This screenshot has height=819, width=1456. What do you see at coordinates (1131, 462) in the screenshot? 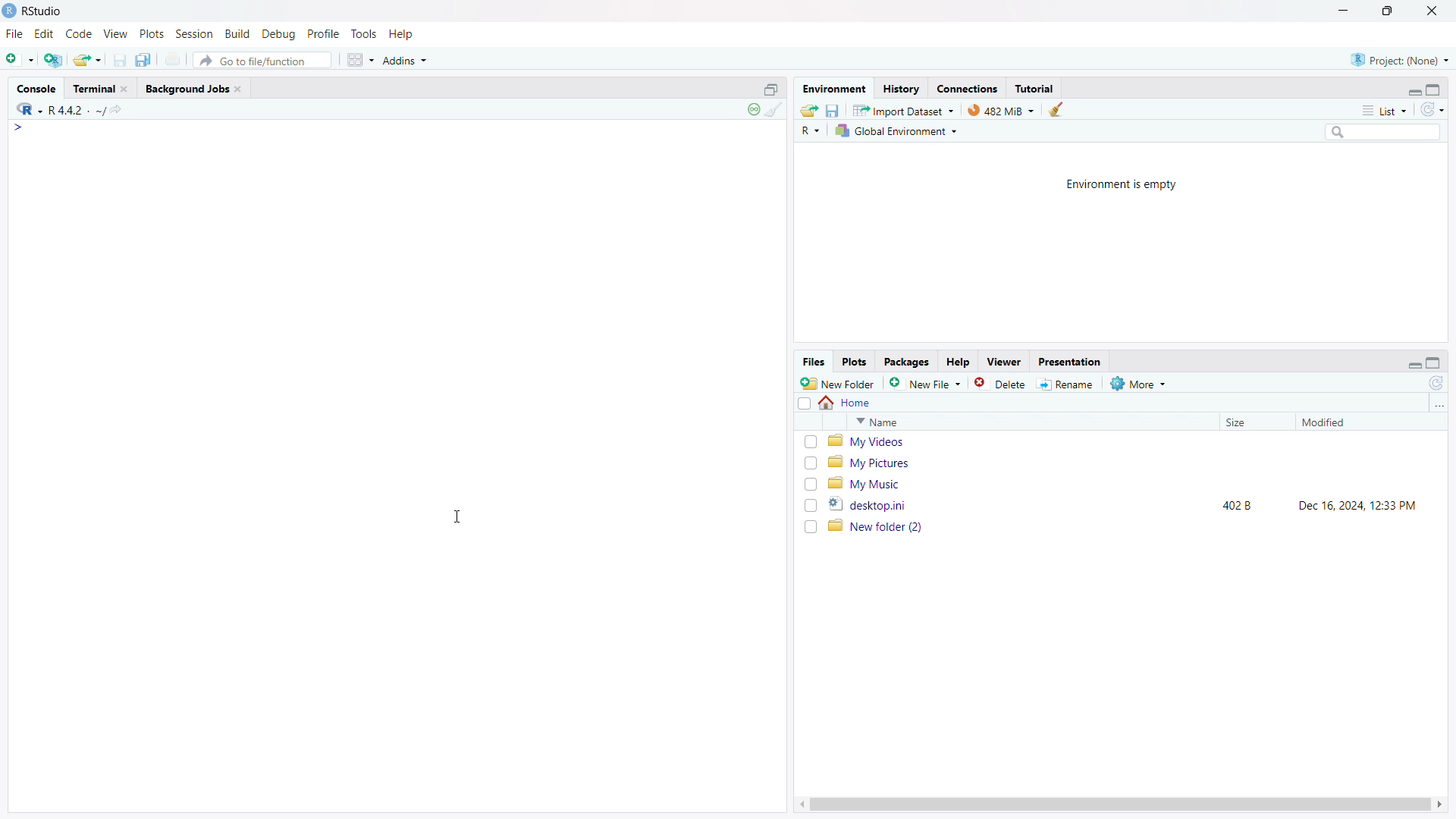
I see `my pictures` at bounding box center [1131, 462].